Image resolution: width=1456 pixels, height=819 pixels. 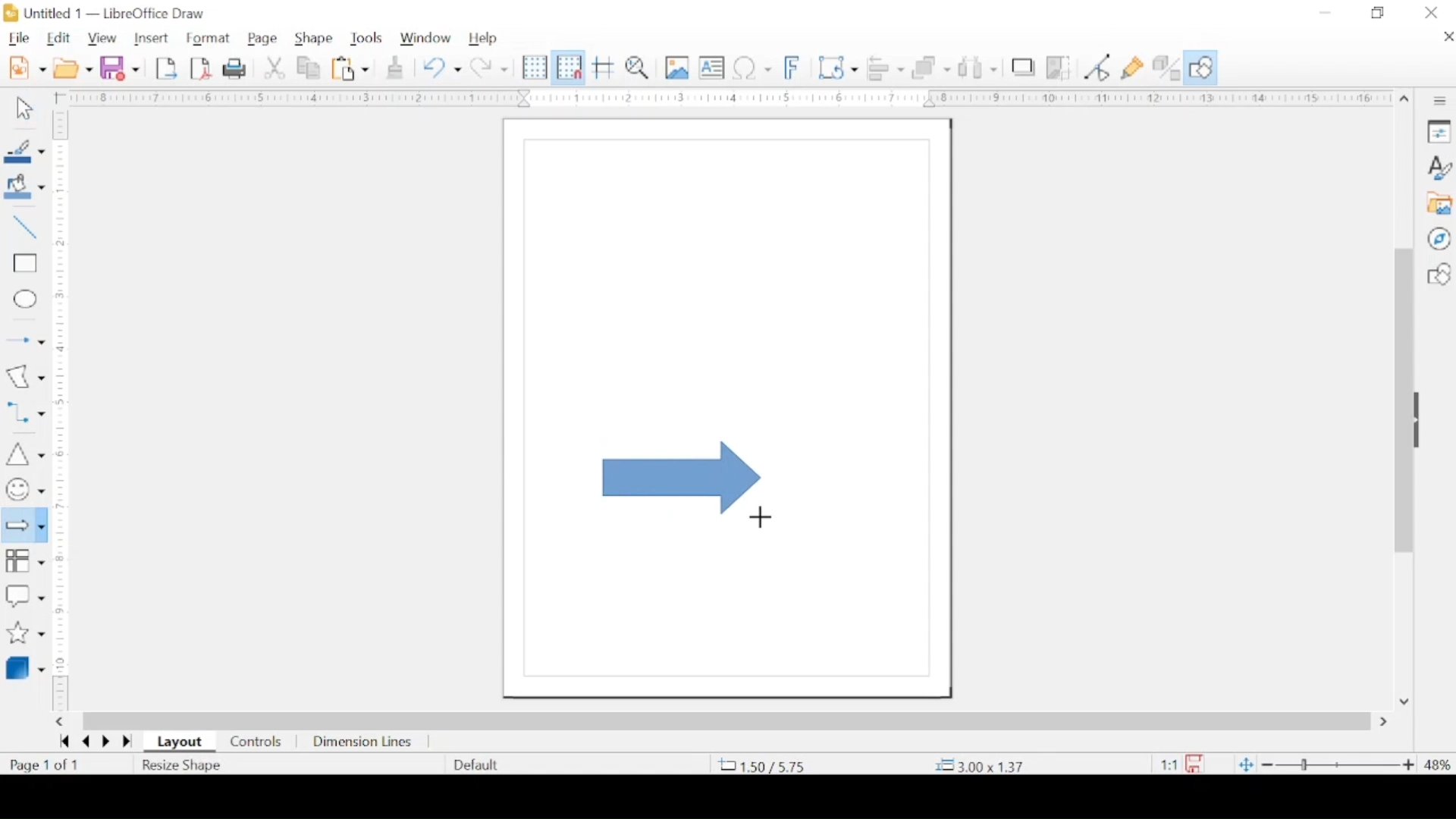 What do you see at coordinates (24, 340) in the screenshot?
I see `insert arrow` at bounding box center [24, 340].